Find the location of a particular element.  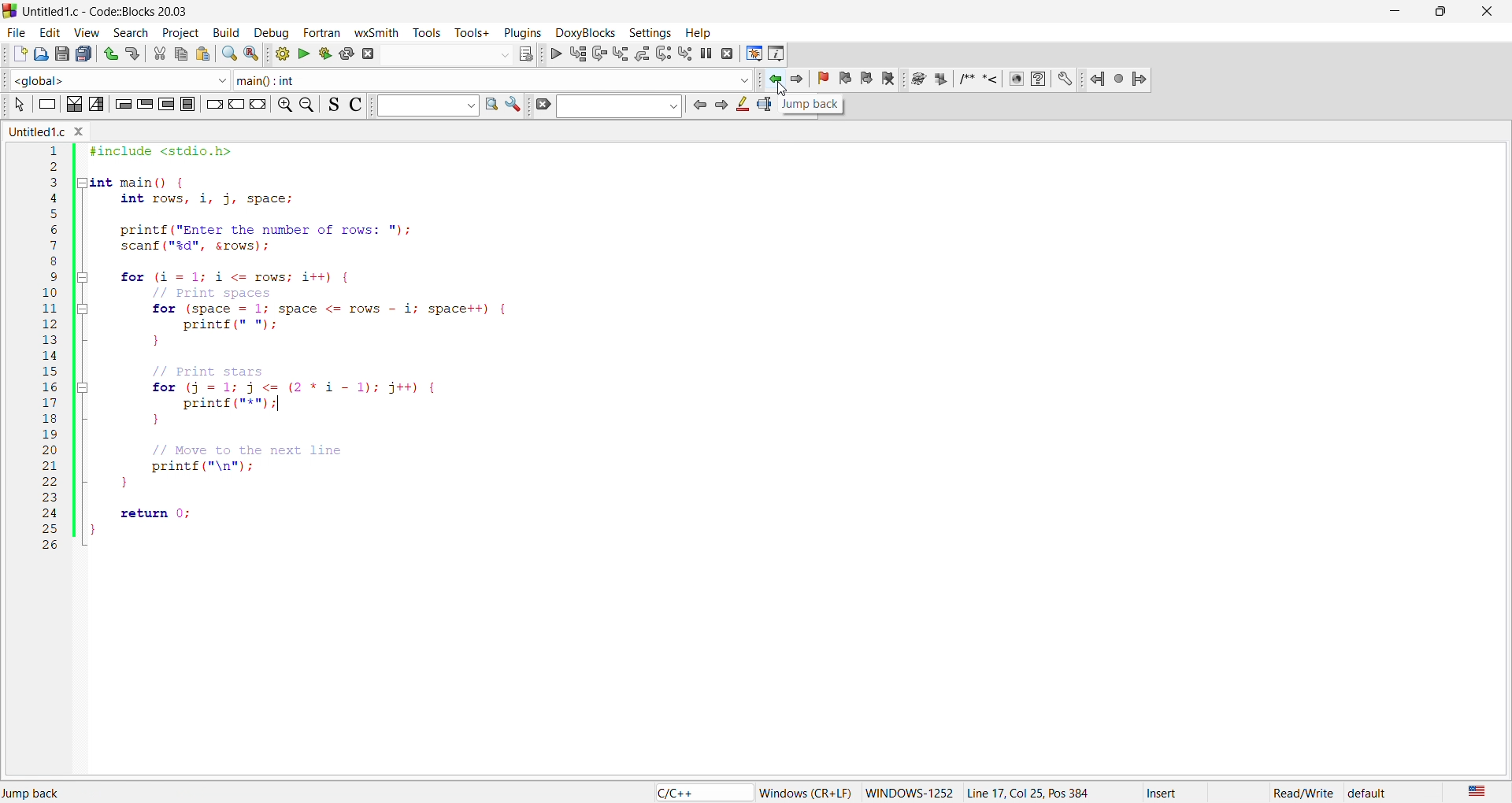

debug window is located at coordinates (751, 56).